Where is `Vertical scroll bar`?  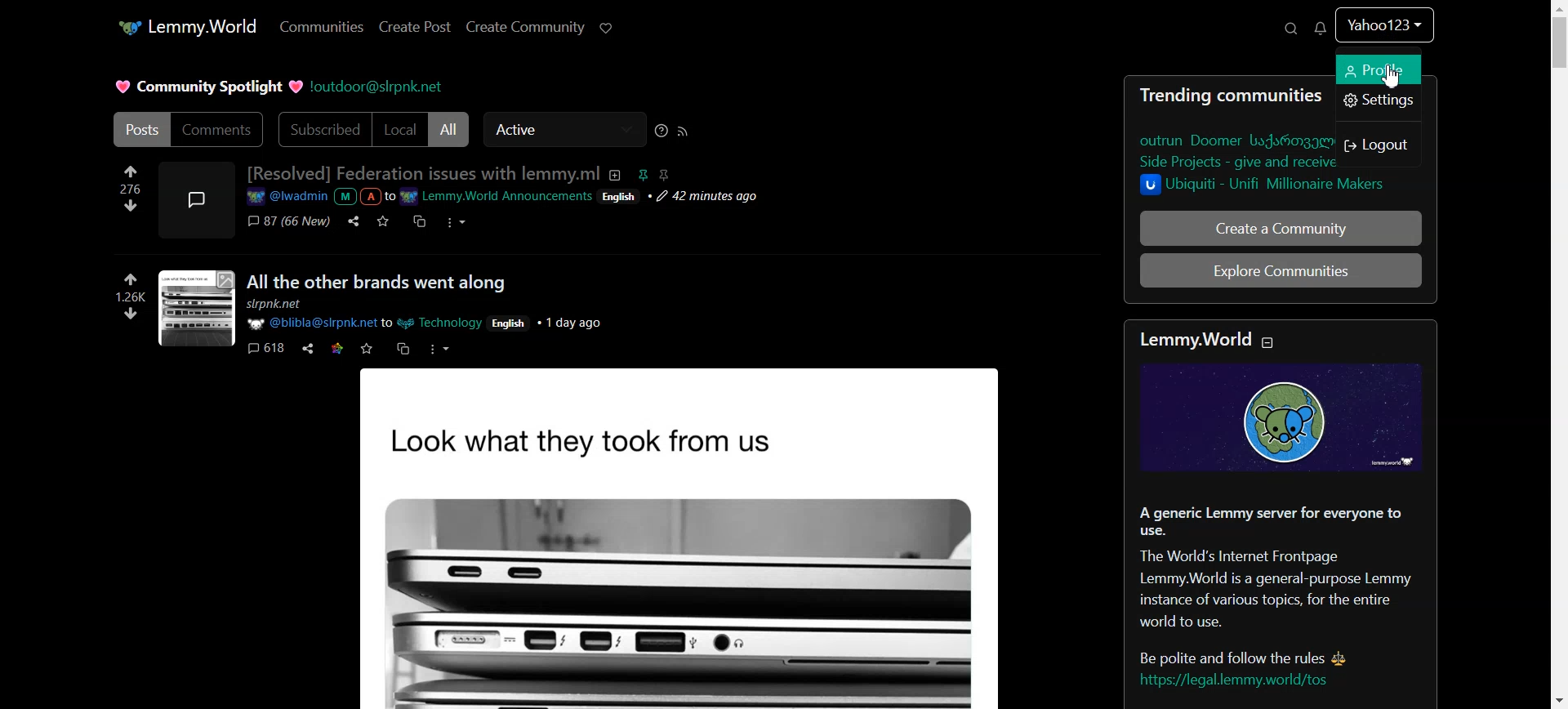 Vertical scroll bar is located at coordinates (1558, 354).